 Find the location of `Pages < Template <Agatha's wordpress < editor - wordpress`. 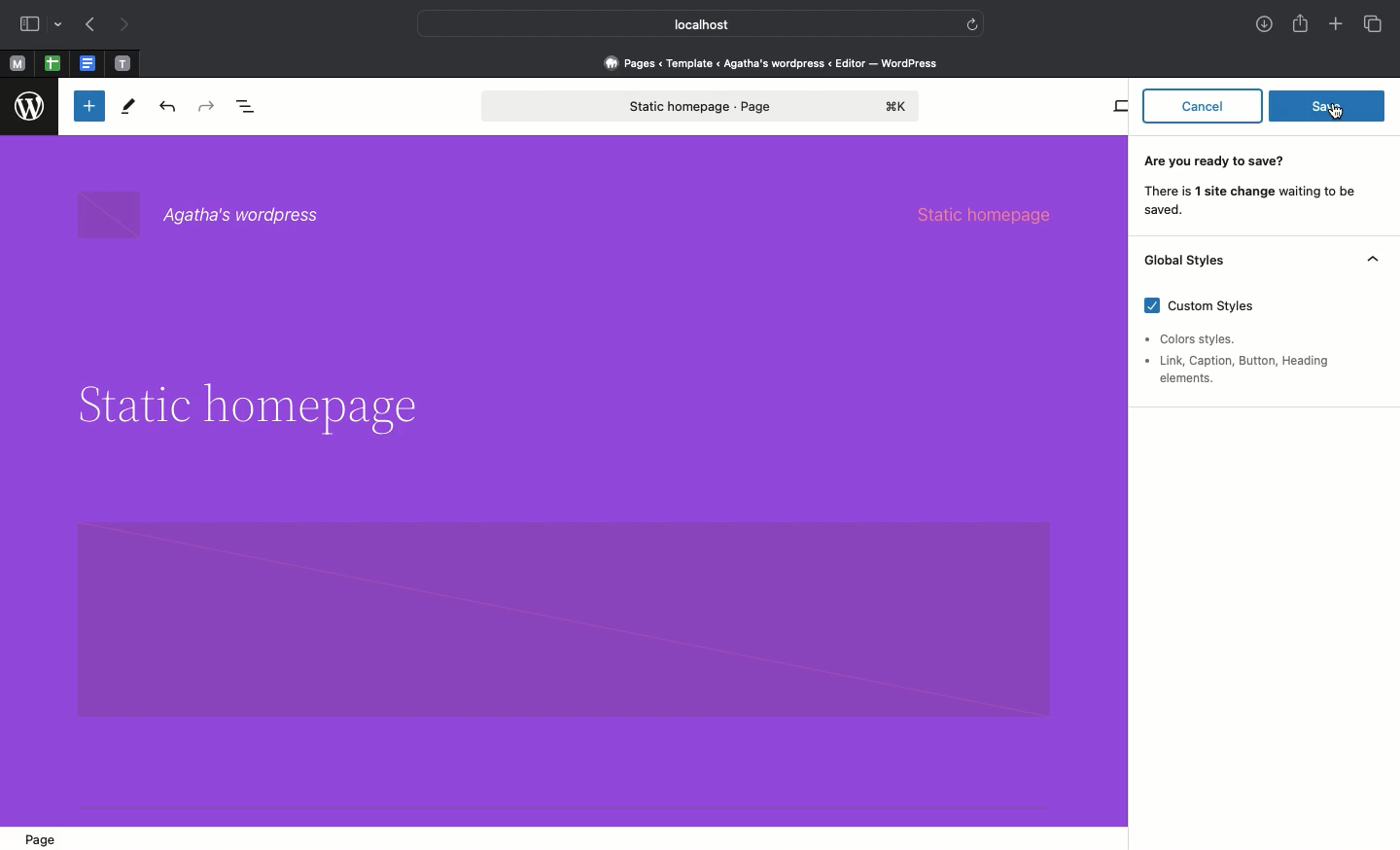

Pages < Template <Agatha's wordpress < editor - wordpress is located at coordinates (778, 62).